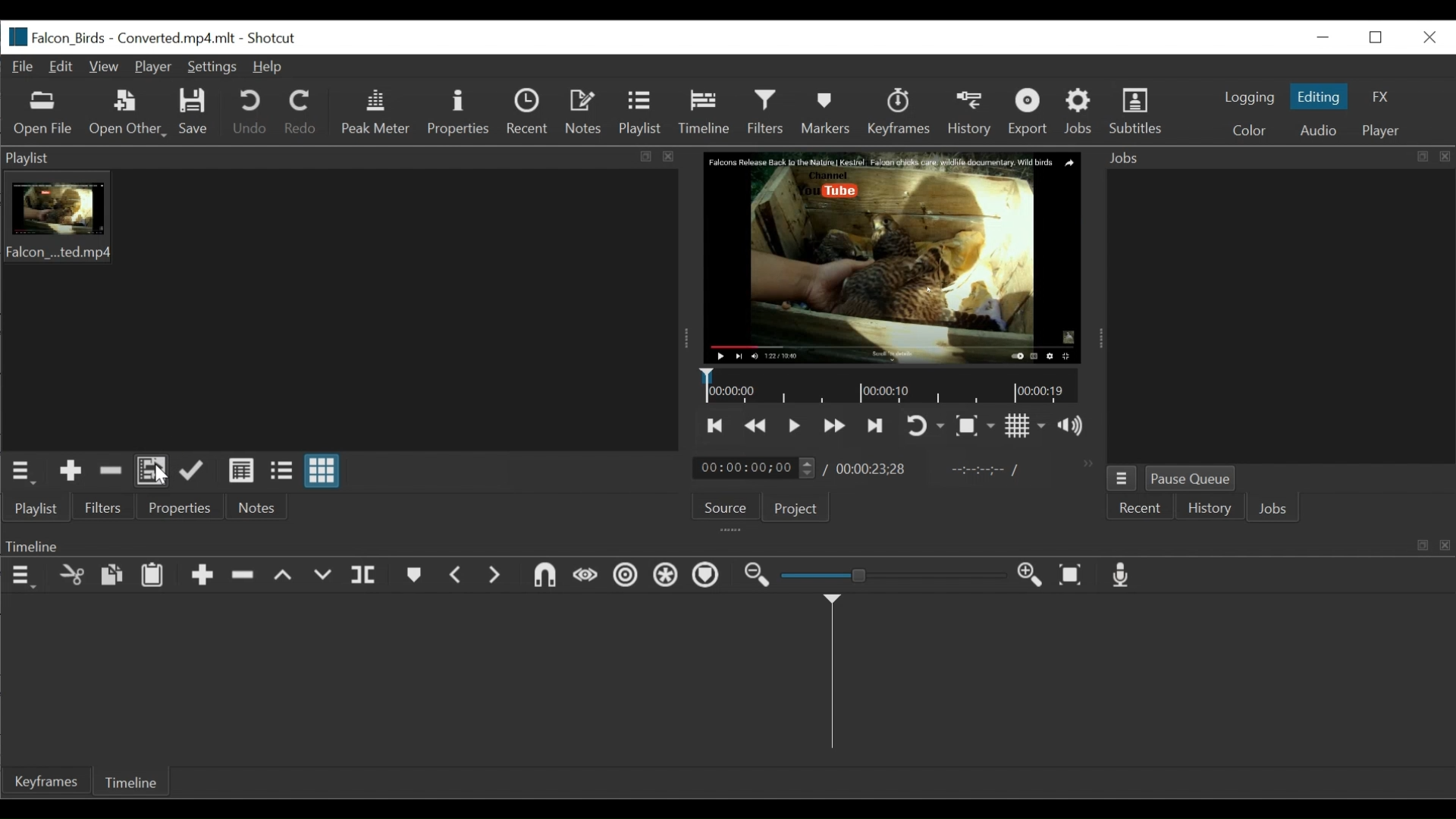 This screenshot has width=1456, height=819. Describe the element at coordinates (45, 780) in the screenshot. I see `Keyframe ` at that location.